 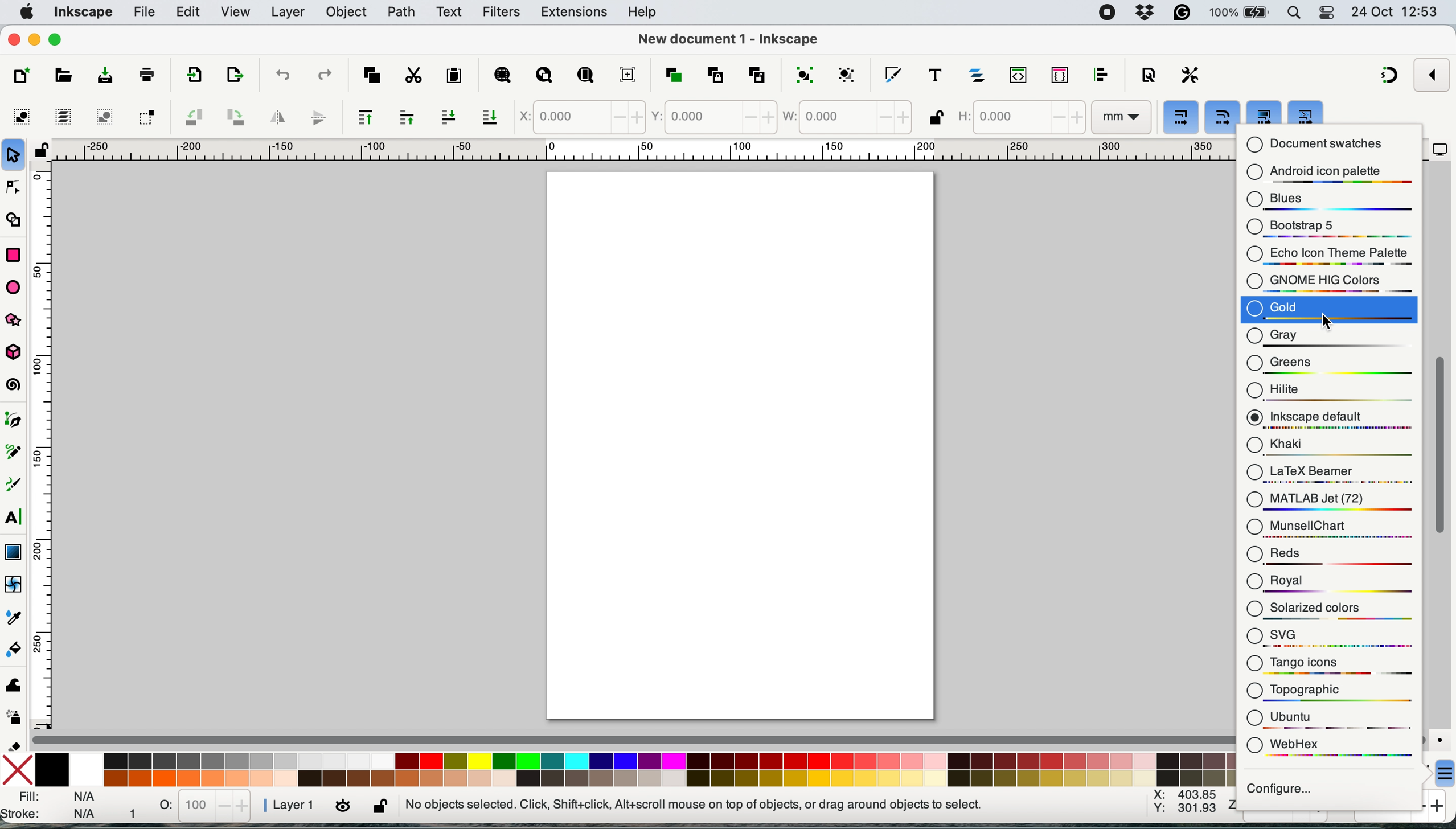 I want to click on text, so click(x=447, y=13).